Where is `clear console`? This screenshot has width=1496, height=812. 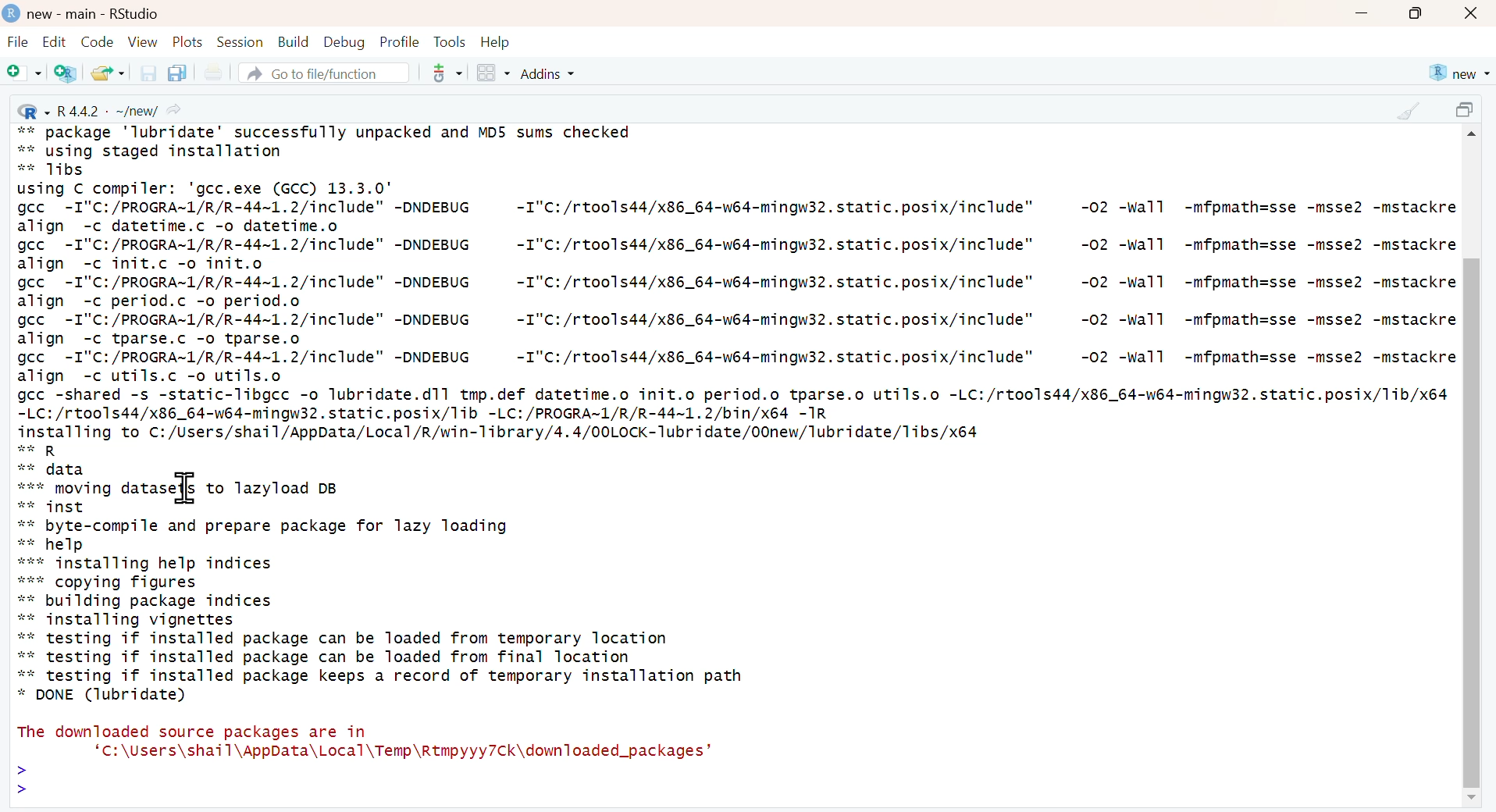 clear console is located at coordinates (1408, 111).